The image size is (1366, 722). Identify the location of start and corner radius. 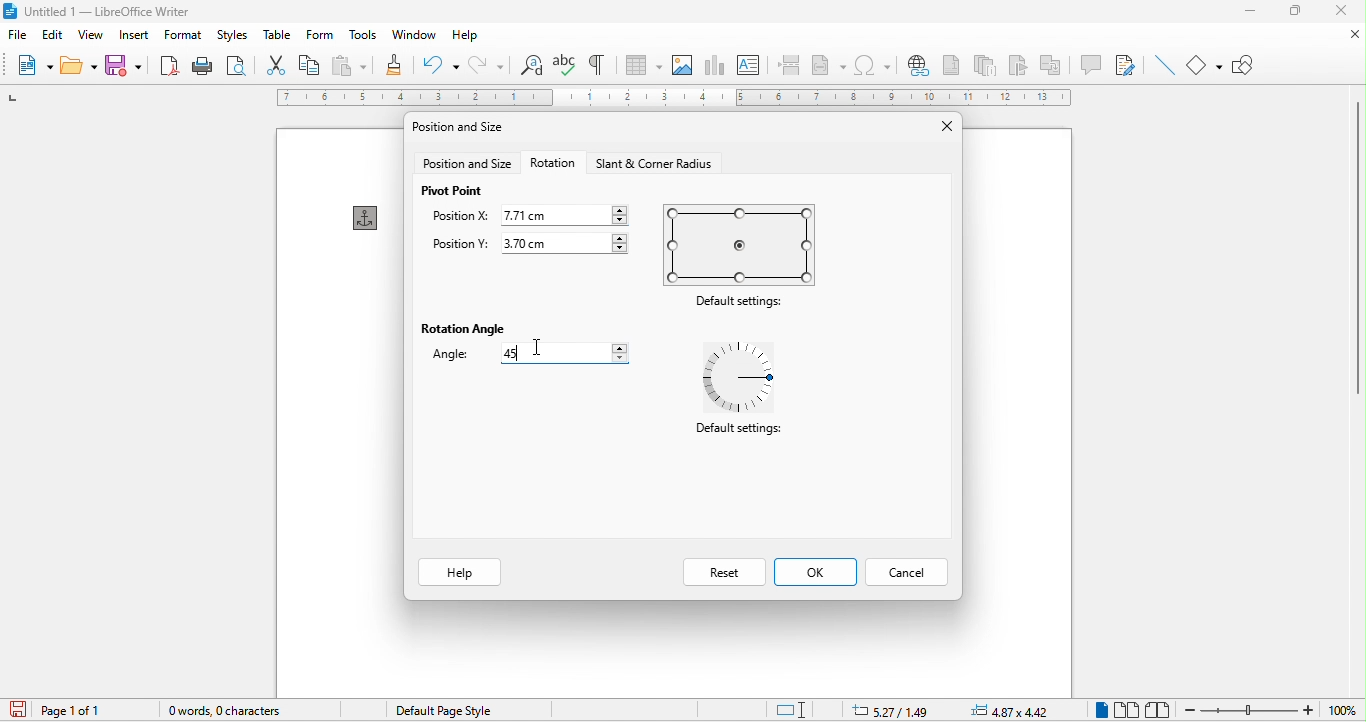
(657, 160).